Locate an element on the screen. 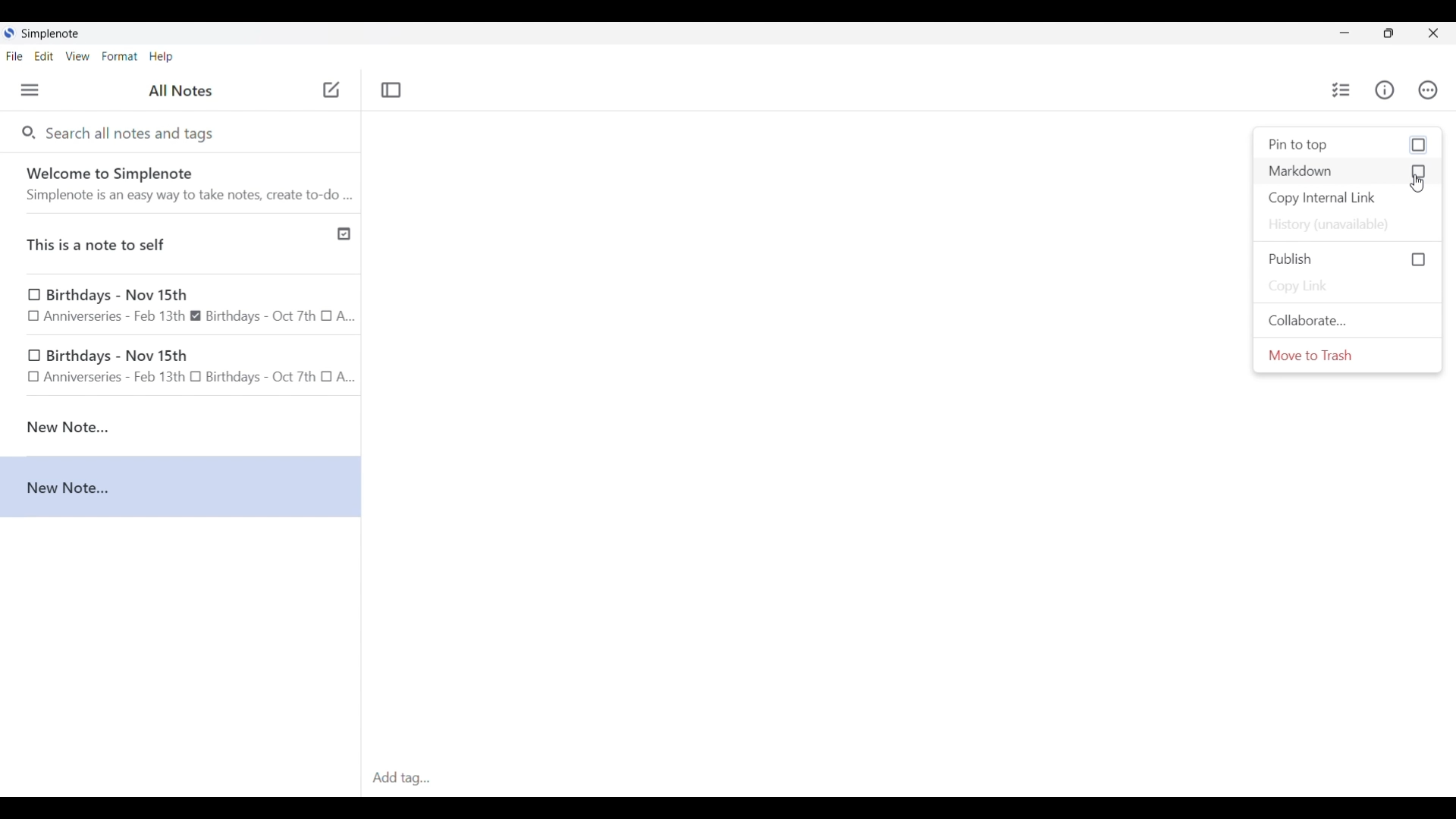  View menu is located at coordinates (78, 55).